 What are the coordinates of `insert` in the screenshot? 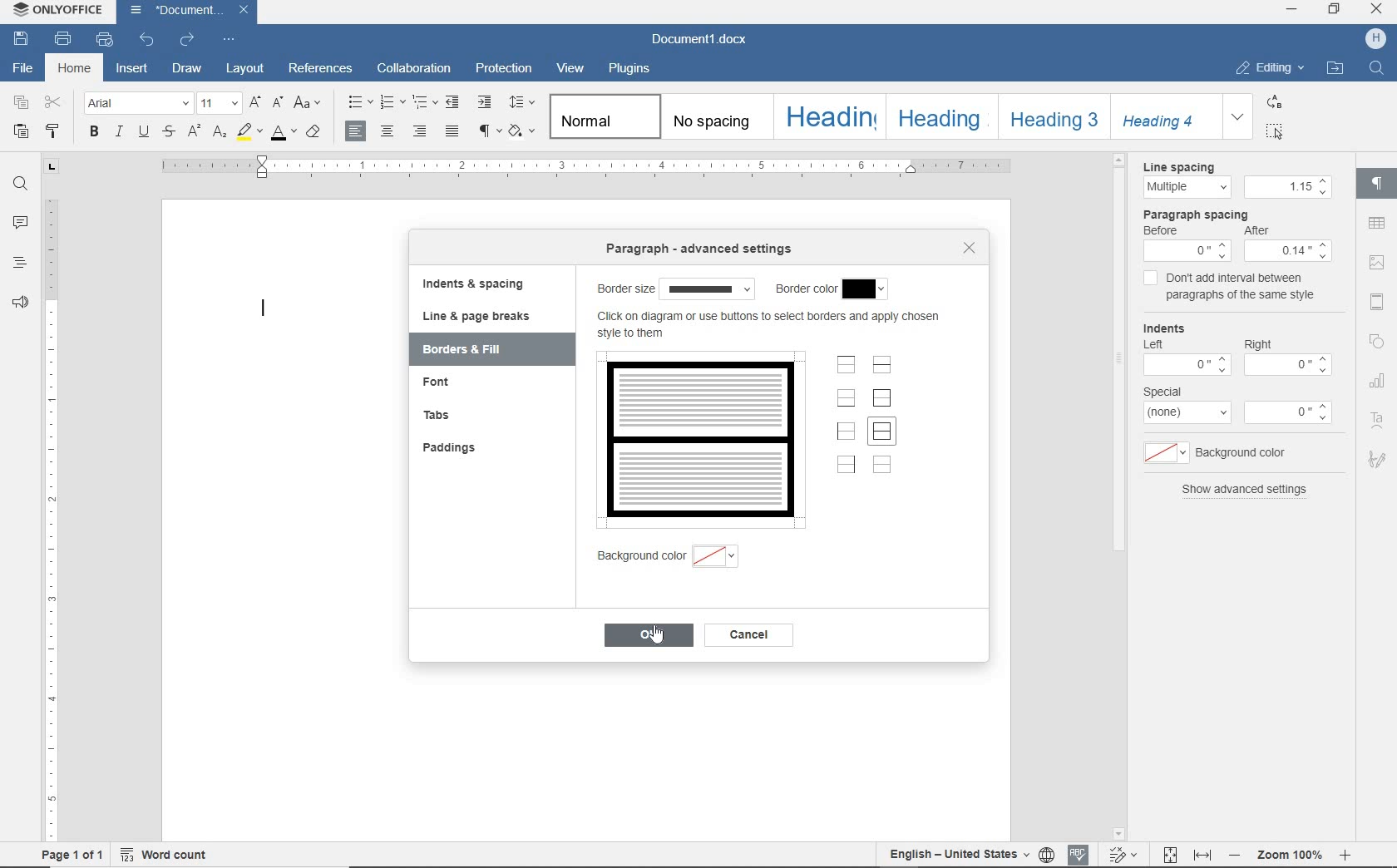 It's located at (133, 69).